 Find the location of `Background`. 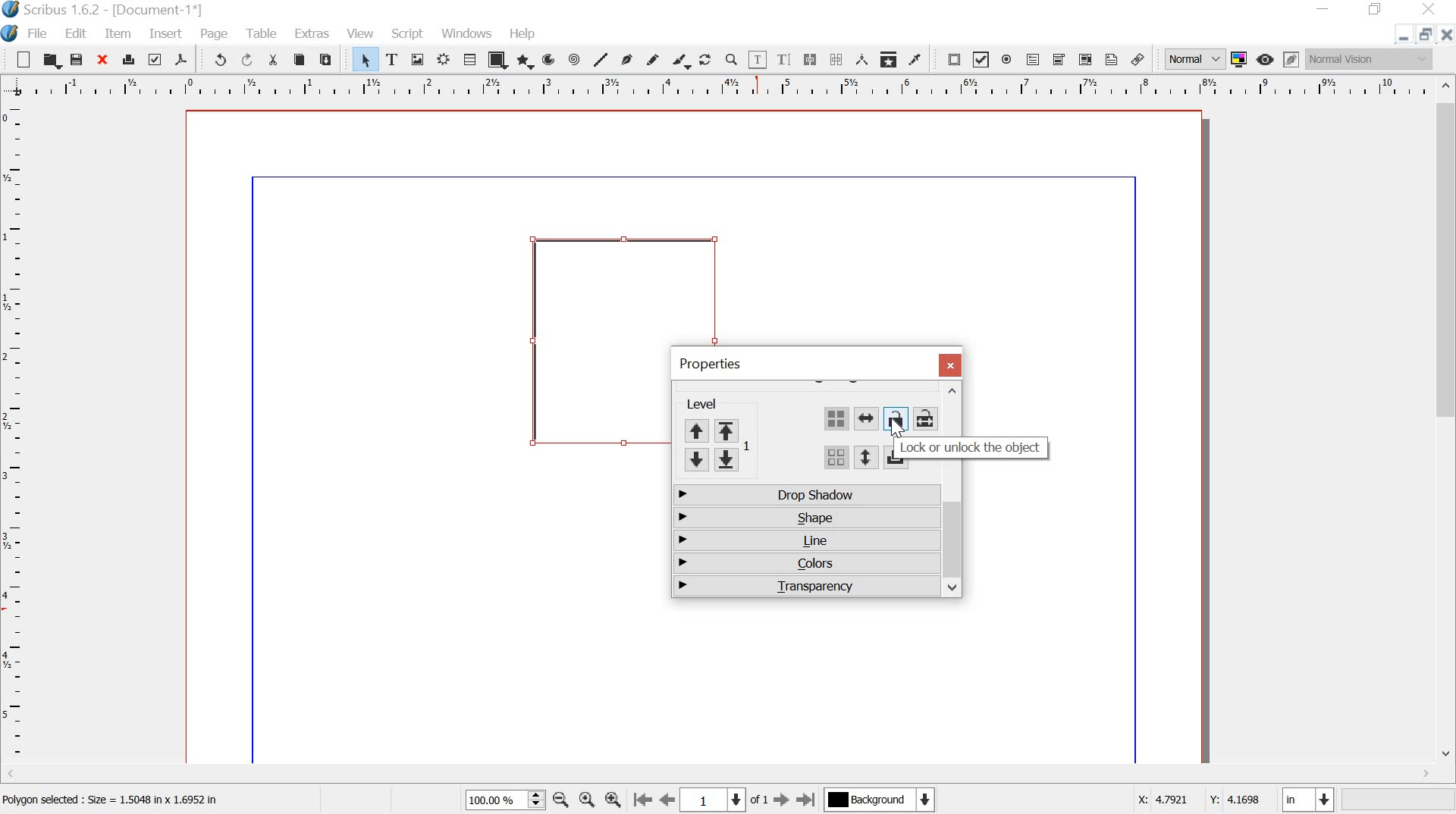

Background is located at coordinates (882, 801).